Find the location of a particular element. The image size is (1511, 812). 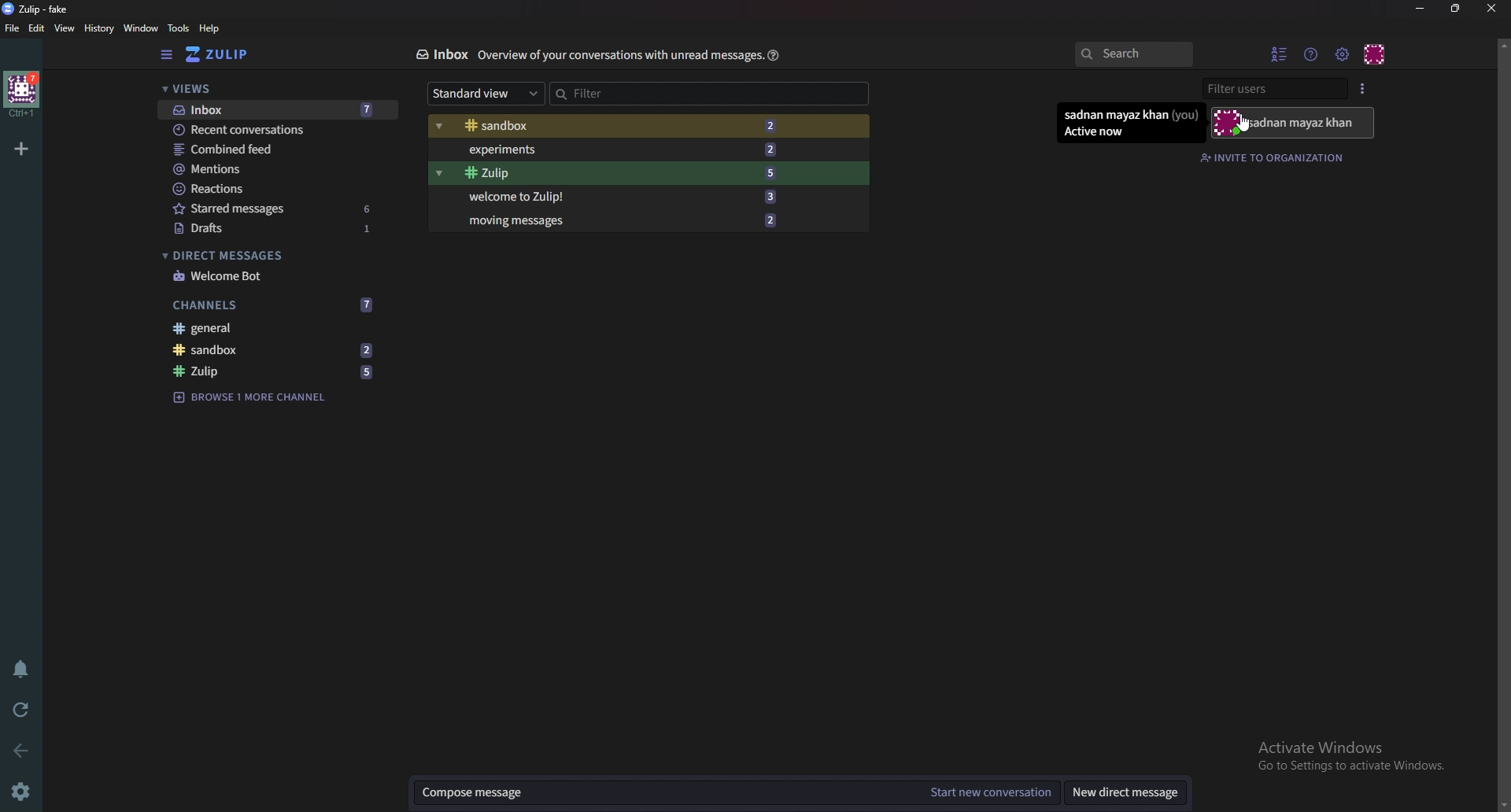

views is located at coordinates (274, 89).